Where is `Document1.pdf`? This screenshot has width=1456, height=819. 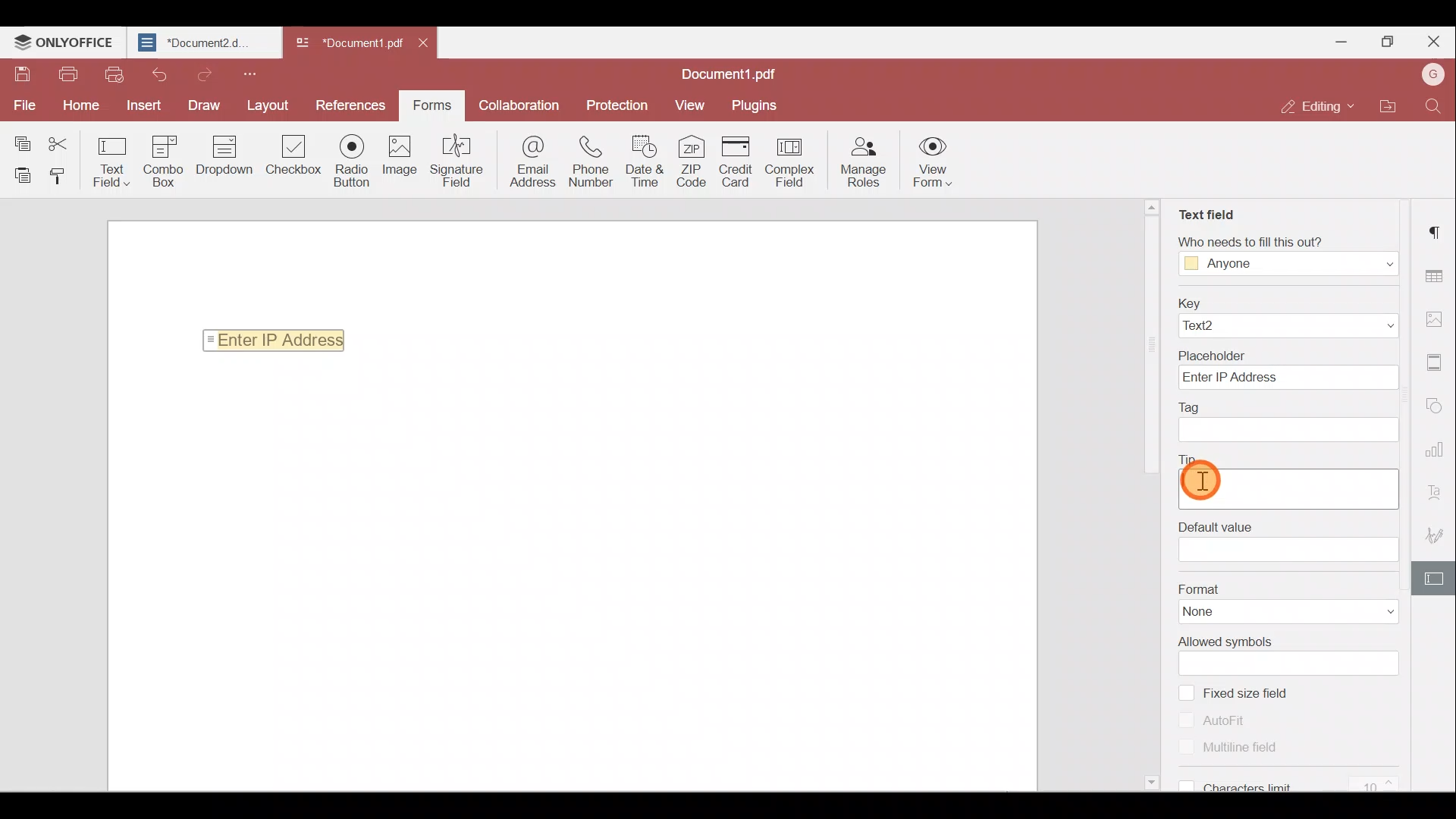 Document1.pdf is located at coordinates (737, 71).